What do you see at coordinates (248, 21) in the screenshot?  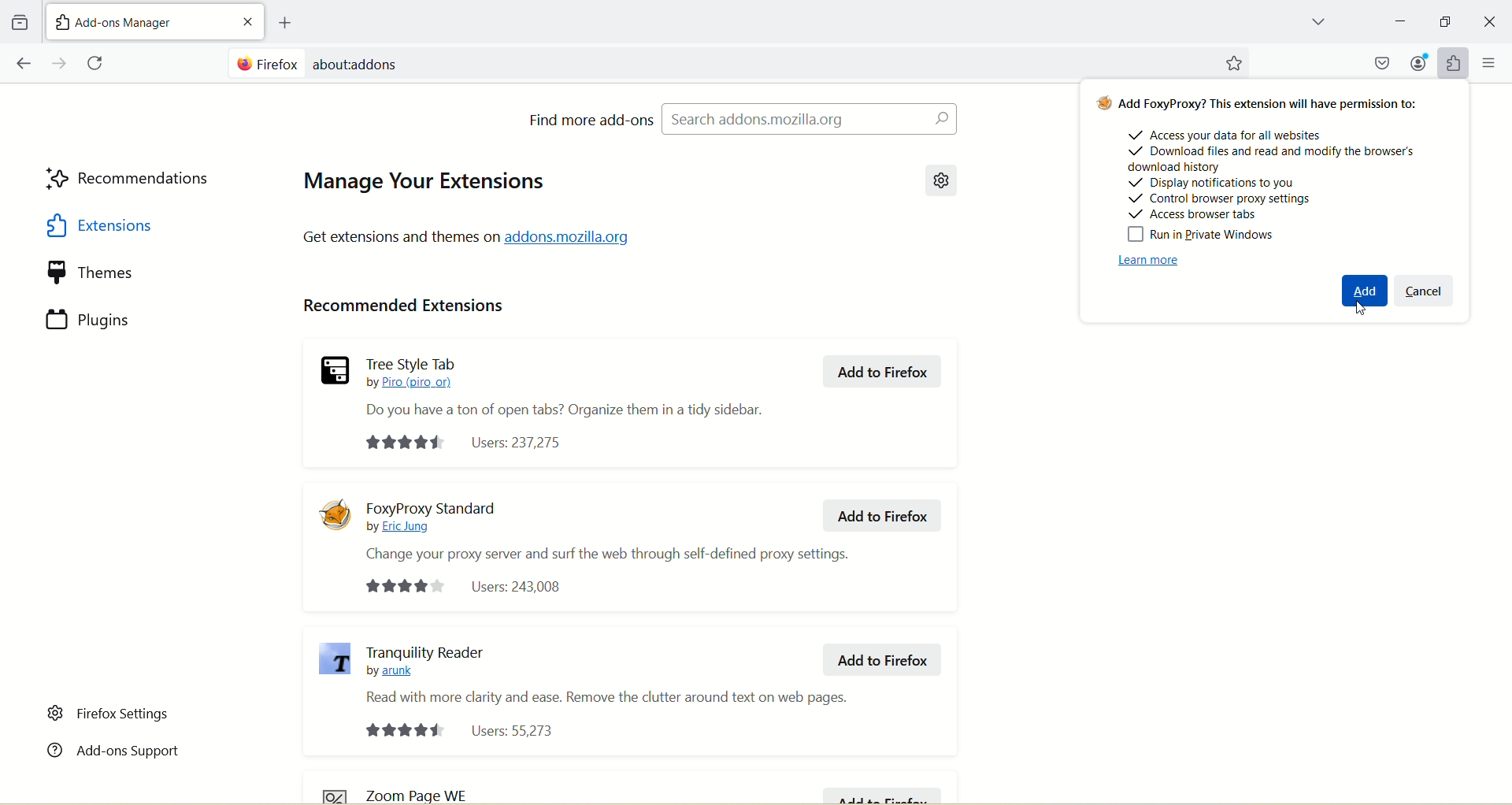 I see `Close` at bounding box center [248, 21].